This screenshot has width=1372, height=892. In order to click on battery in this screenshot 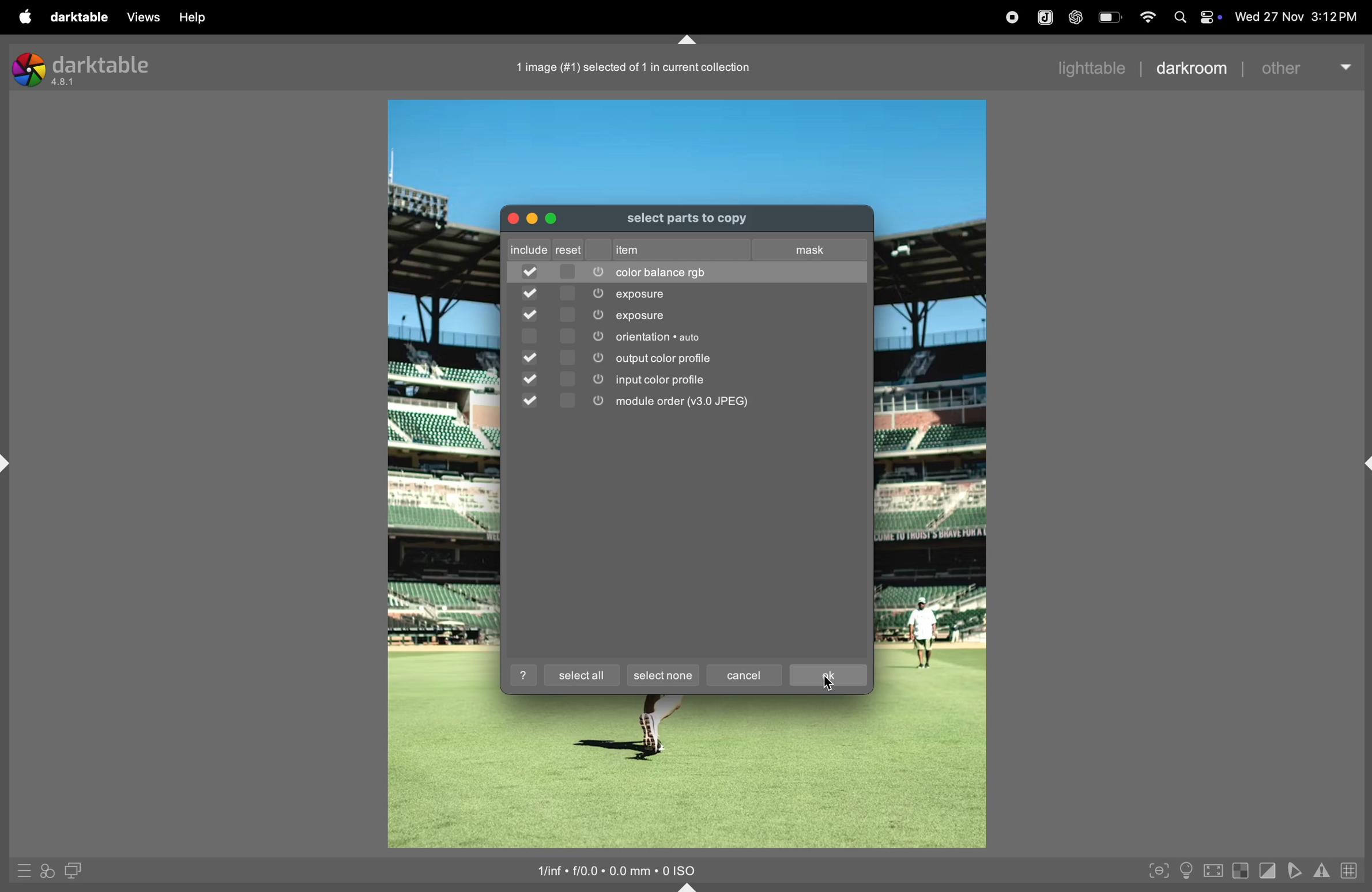, I will do `click(1111, 16)`.